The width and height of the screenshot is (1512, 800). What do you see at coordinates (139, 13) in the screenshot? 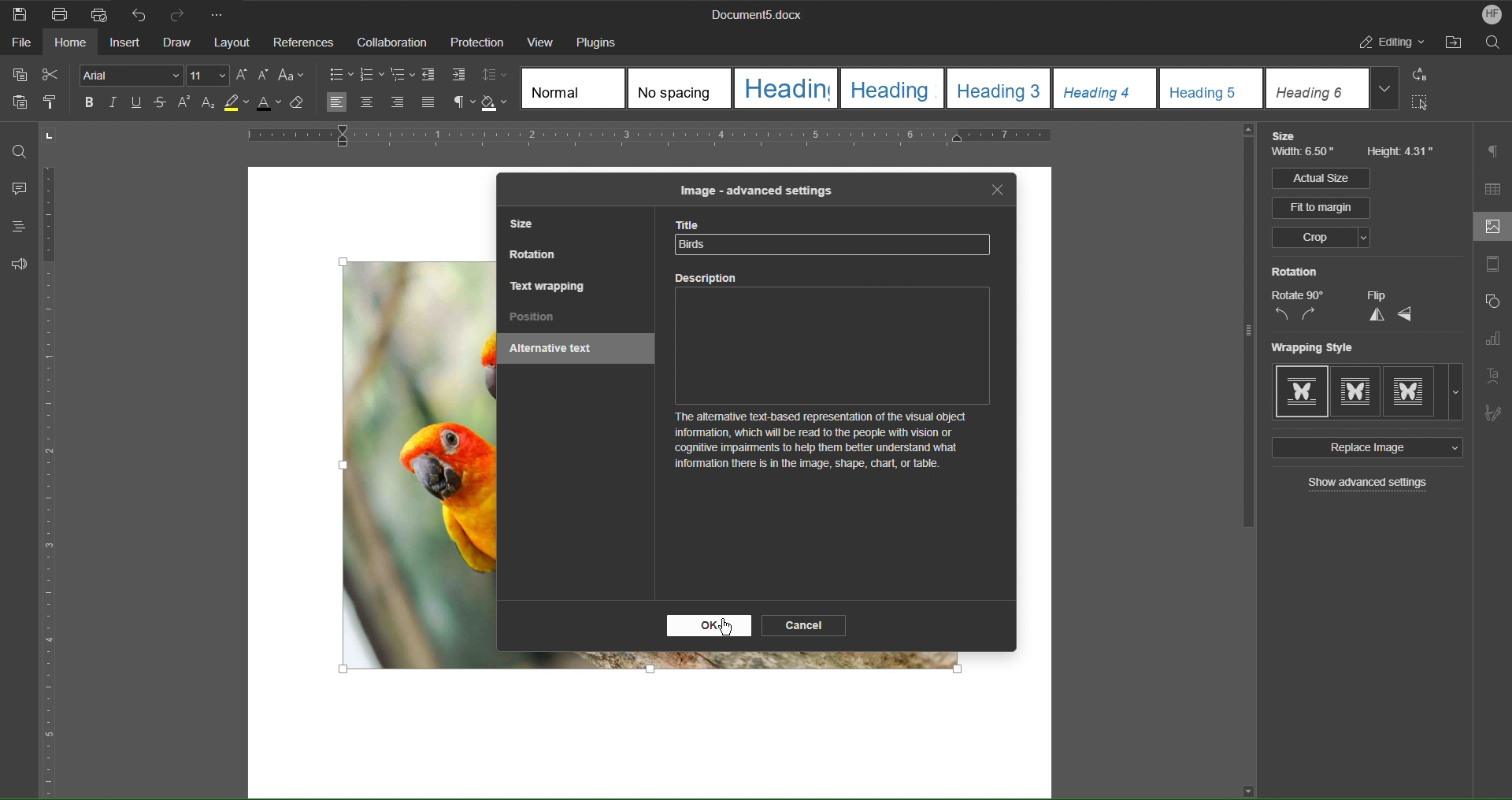
I see `Undo` at bounding box center [139, 13].